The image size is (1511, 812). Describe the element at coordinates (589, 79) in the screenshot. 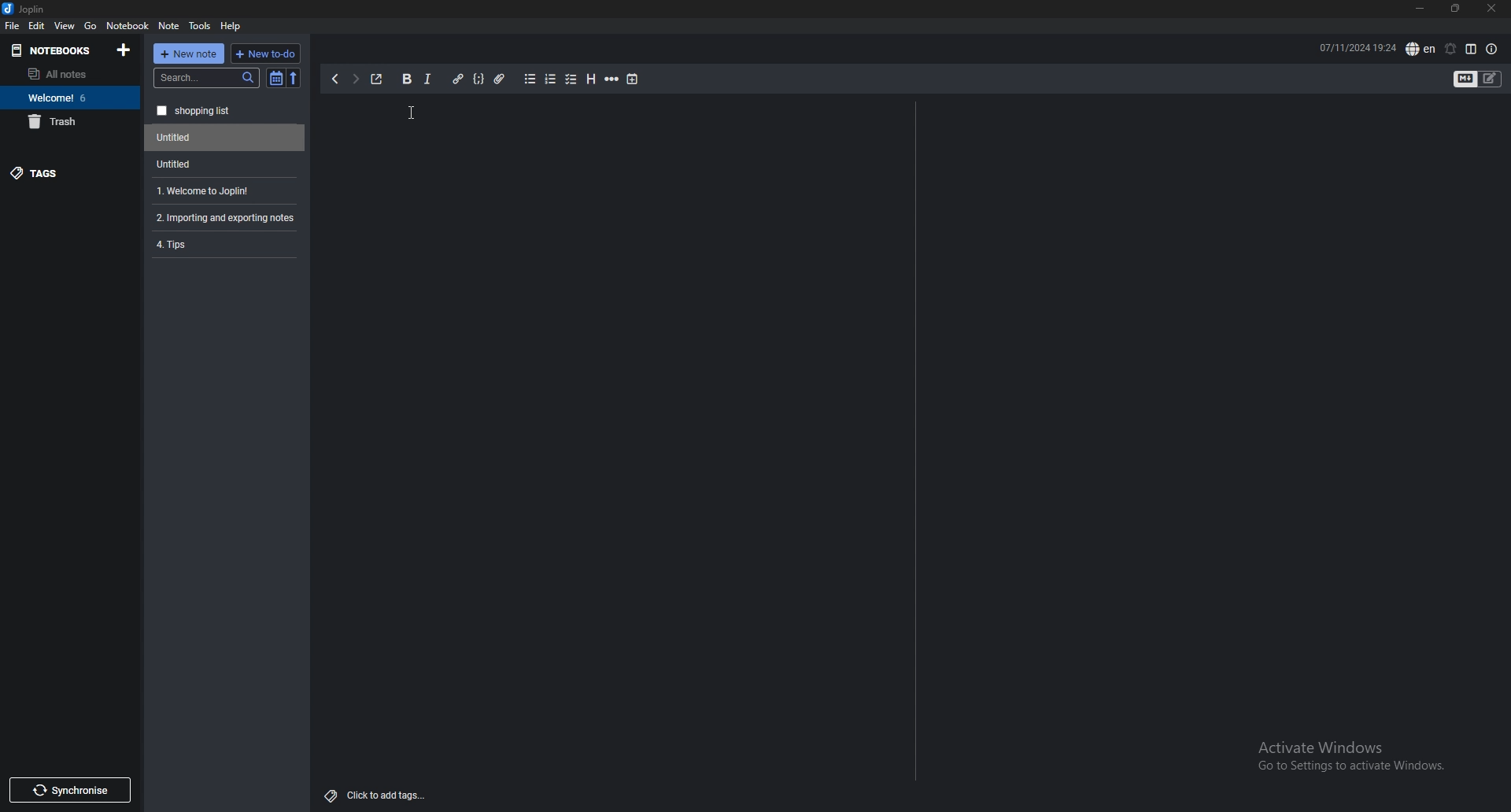

I see `heading` at that location.